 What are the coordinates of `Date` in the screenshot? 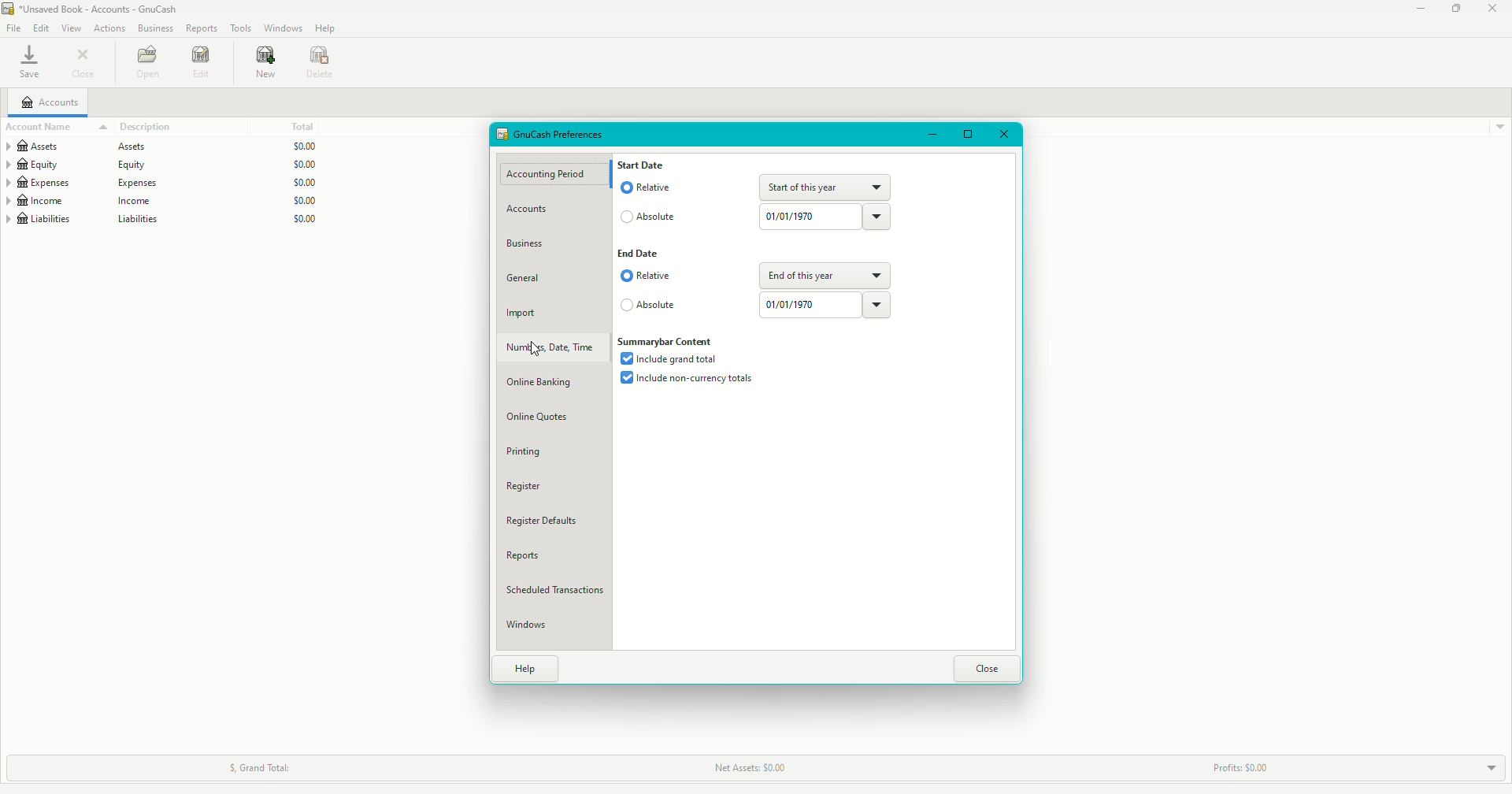 It's located at (828, 217).